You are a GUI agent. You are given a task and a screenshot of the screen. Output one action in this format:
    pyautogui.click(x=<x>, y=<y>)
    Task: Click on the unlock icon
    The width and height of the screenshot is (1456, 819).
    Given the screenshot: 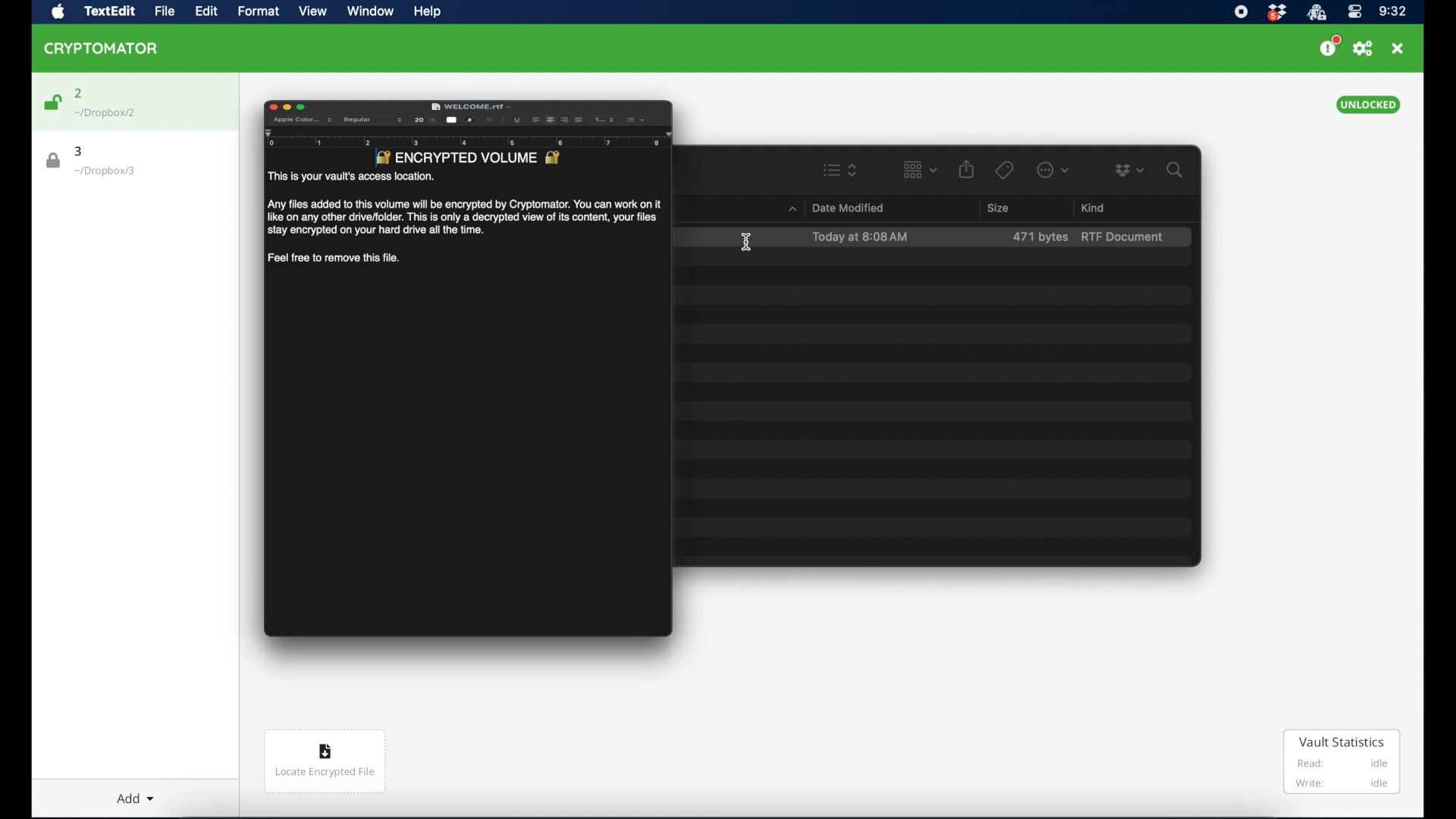 What is the action you would take?
    pyautogui.click(x=52, y=102)
    